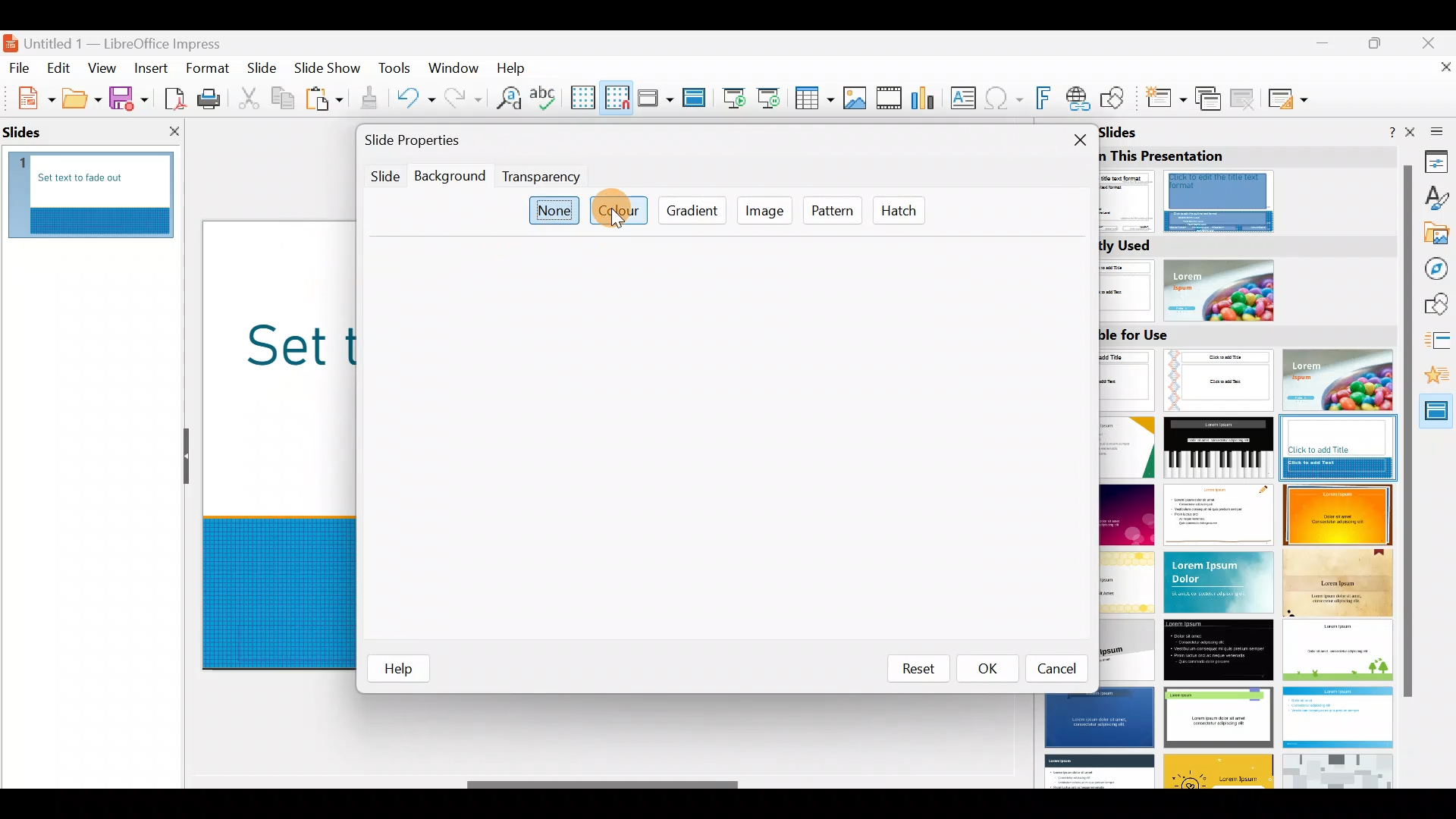  What do you see at coordinates (100, 198) in the screenshot?
I see `Slide pane` at bounding box center [100, 198].